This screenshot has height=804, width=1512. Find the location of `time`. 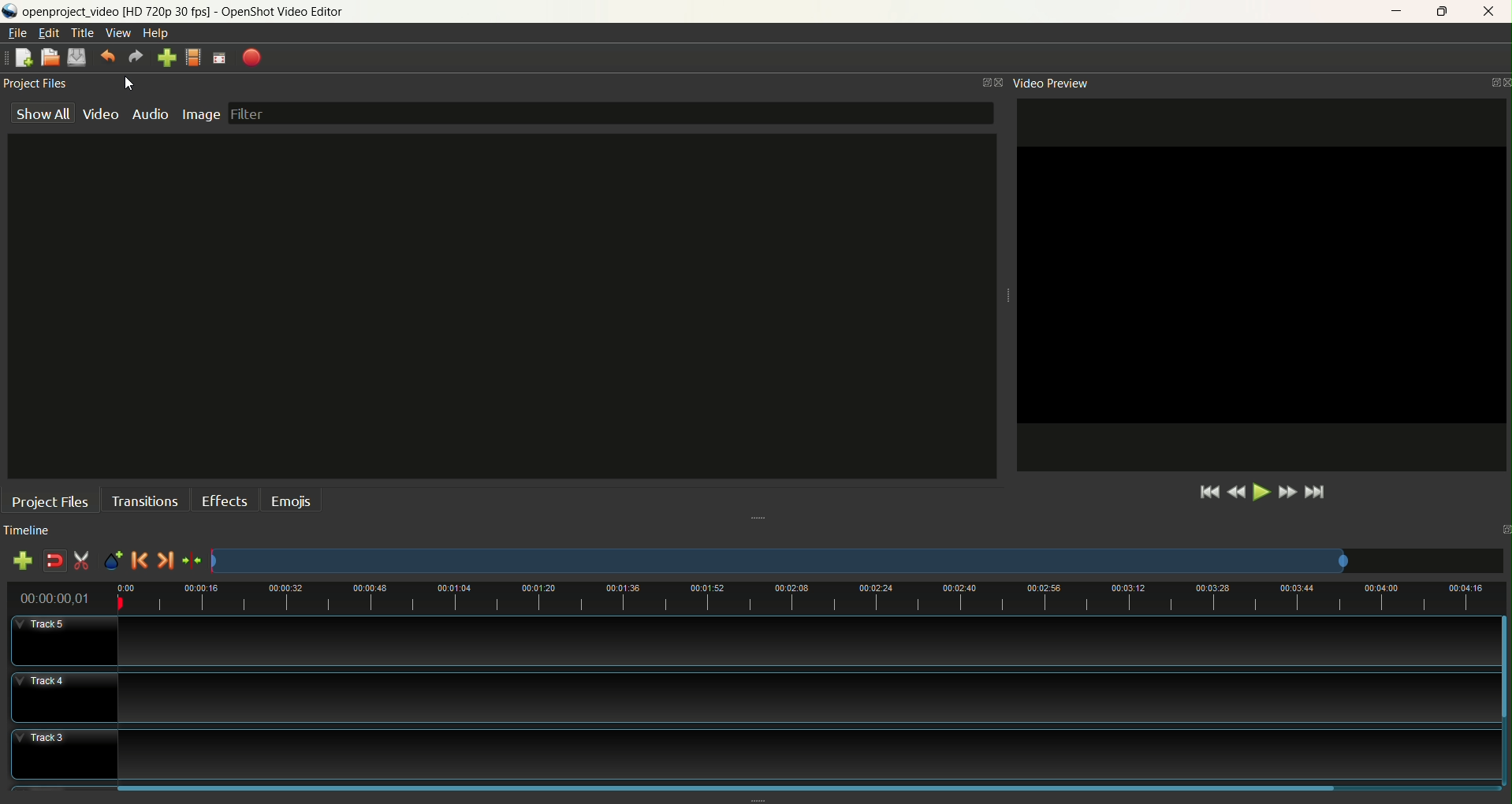

time is located at coordinates (59, 597).